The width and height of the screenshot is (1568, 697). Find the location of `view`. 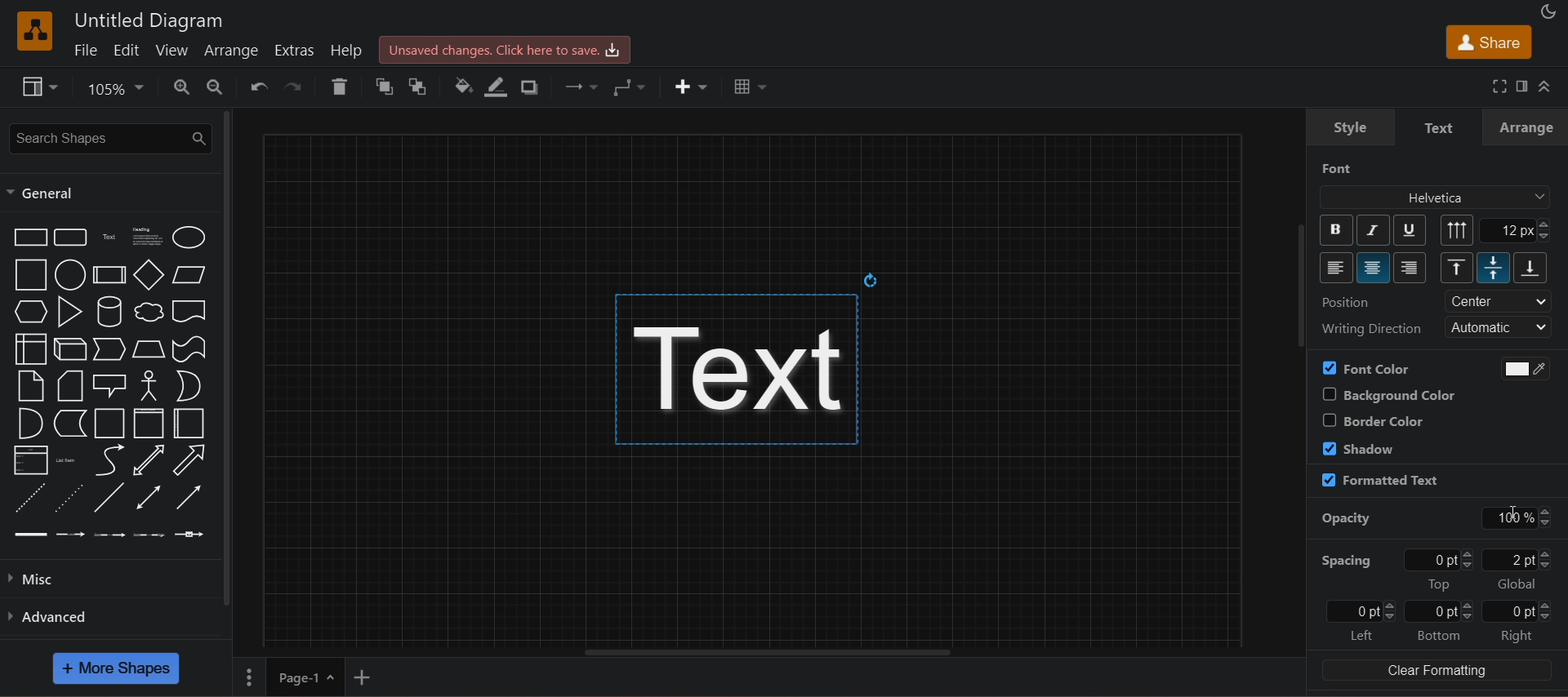

view is located at coordinates (170, 49).